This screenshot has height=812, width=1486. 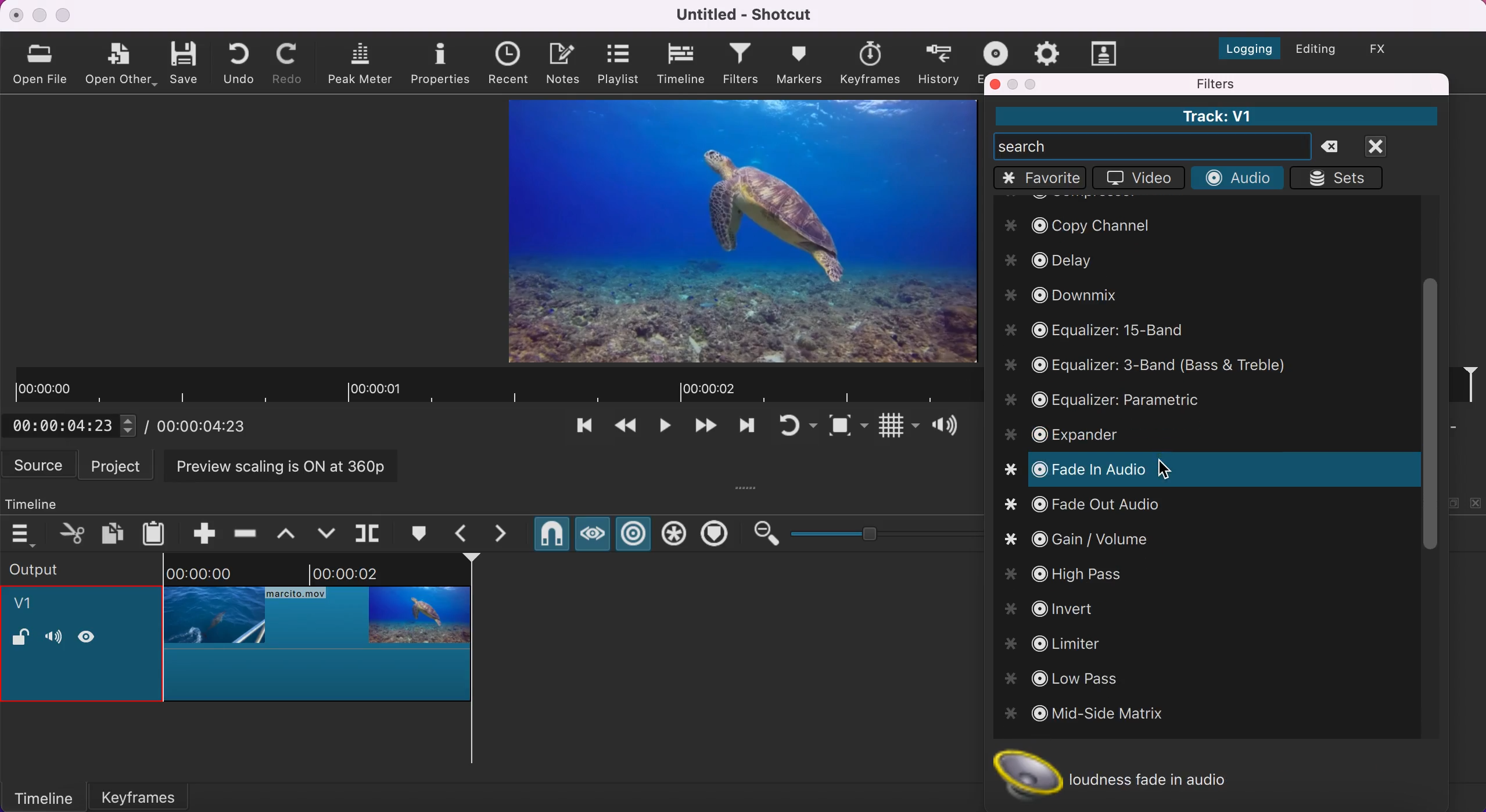 I want to click on open file, so click(x=43, y=63).